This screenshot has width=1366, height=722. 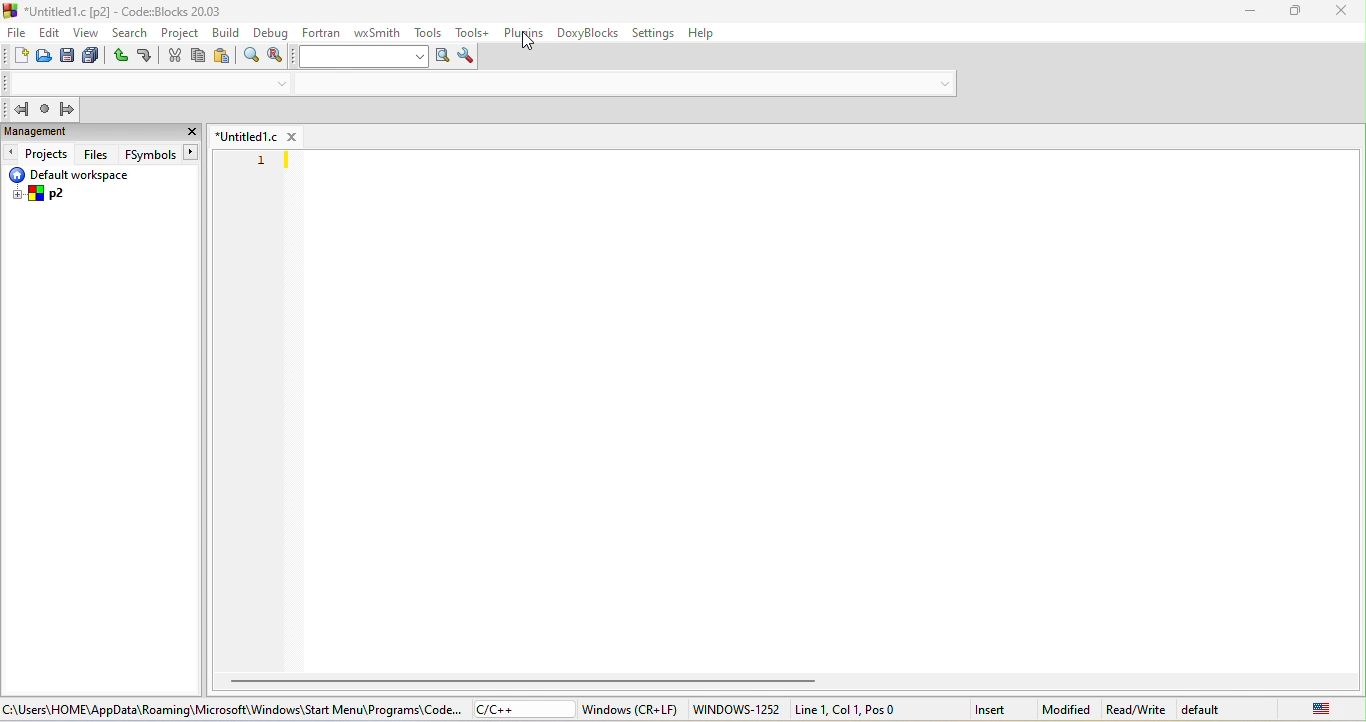 I want to click on modified, so click(x=1065, y=710).